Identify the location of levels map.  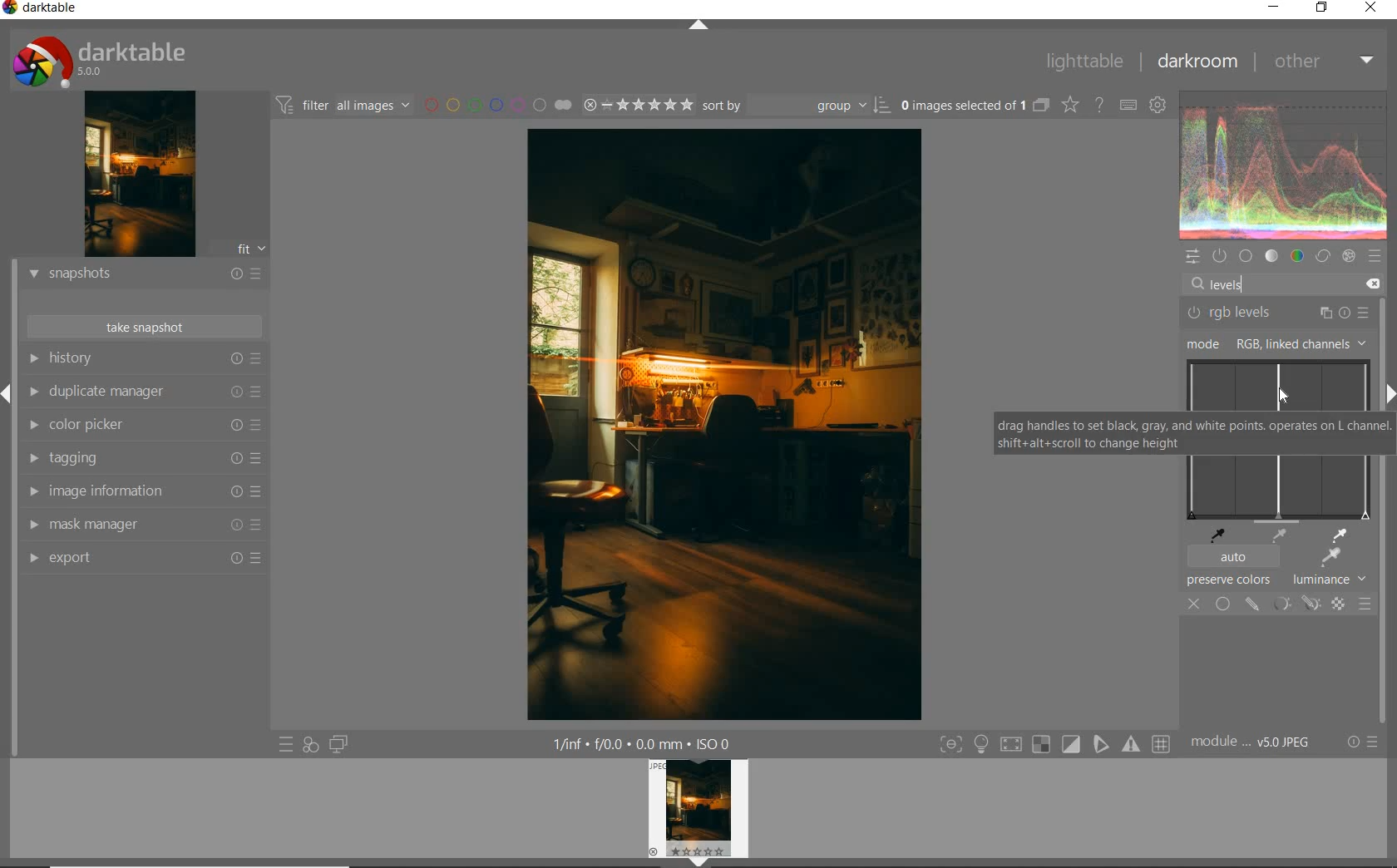
(1276, 428).